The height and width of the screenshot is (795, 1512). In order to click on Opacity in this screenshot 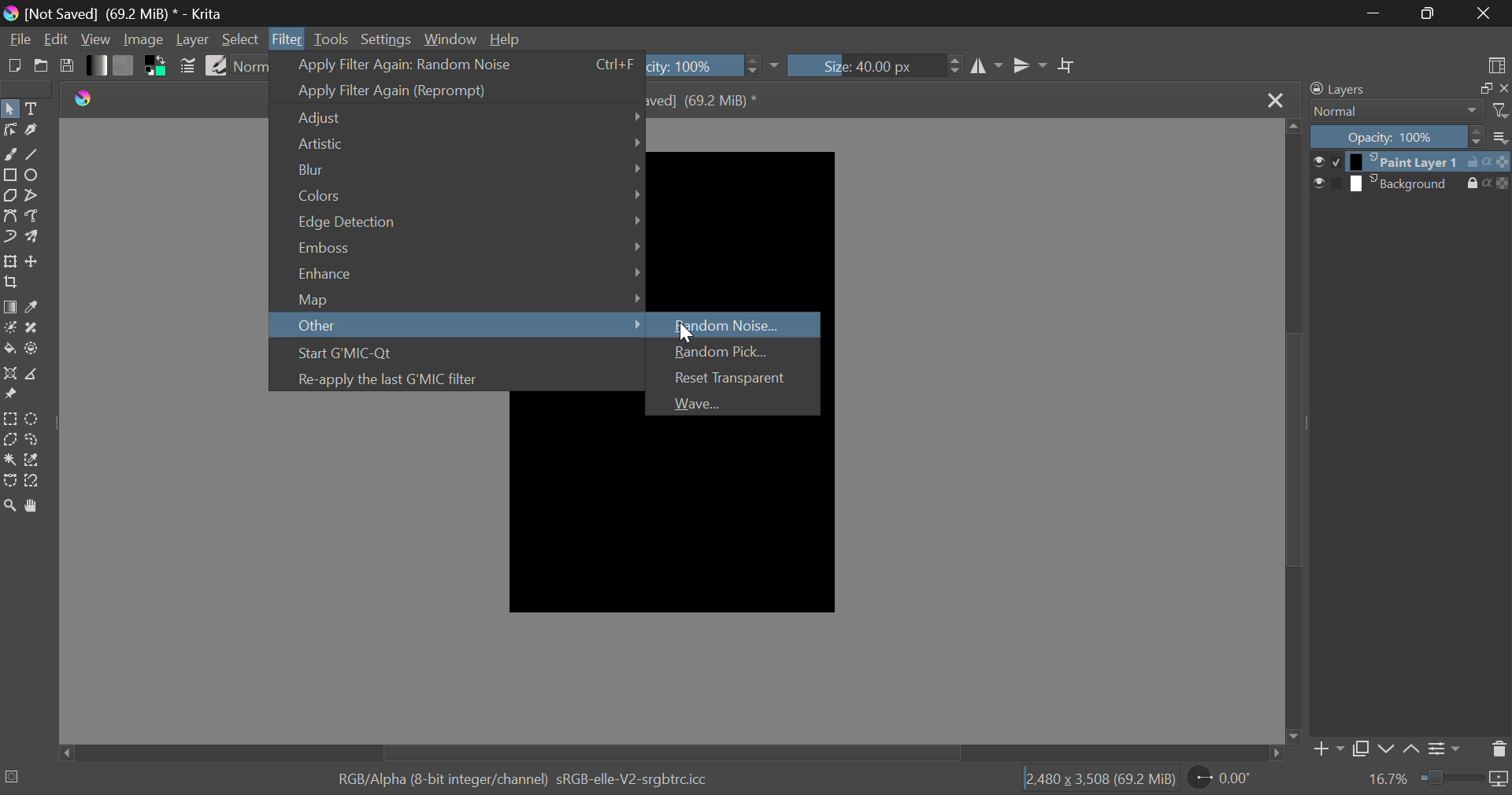, I will do `click(1397, 137)`.